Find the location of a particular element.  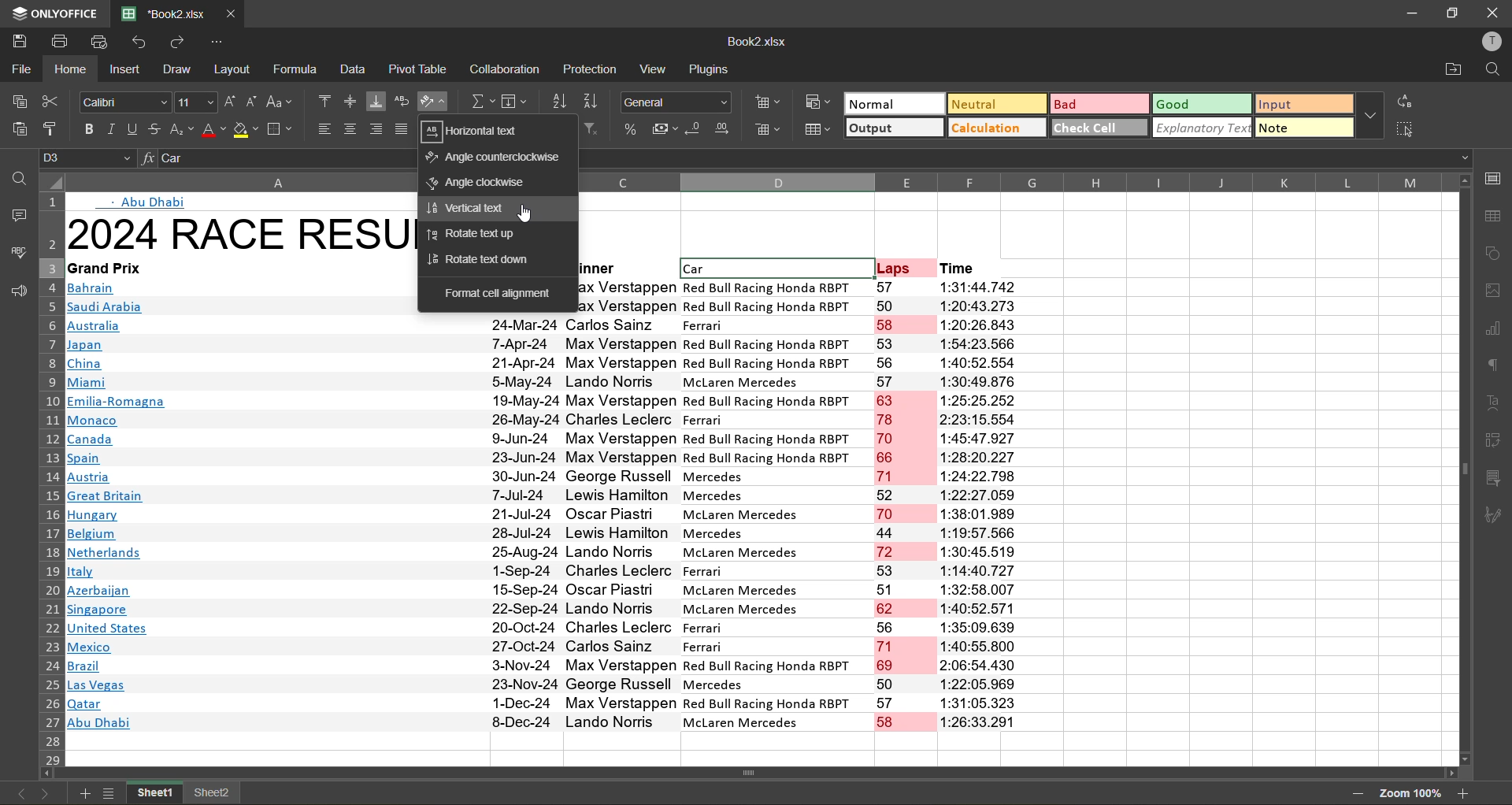

good is located at coordinates (1204, 103).